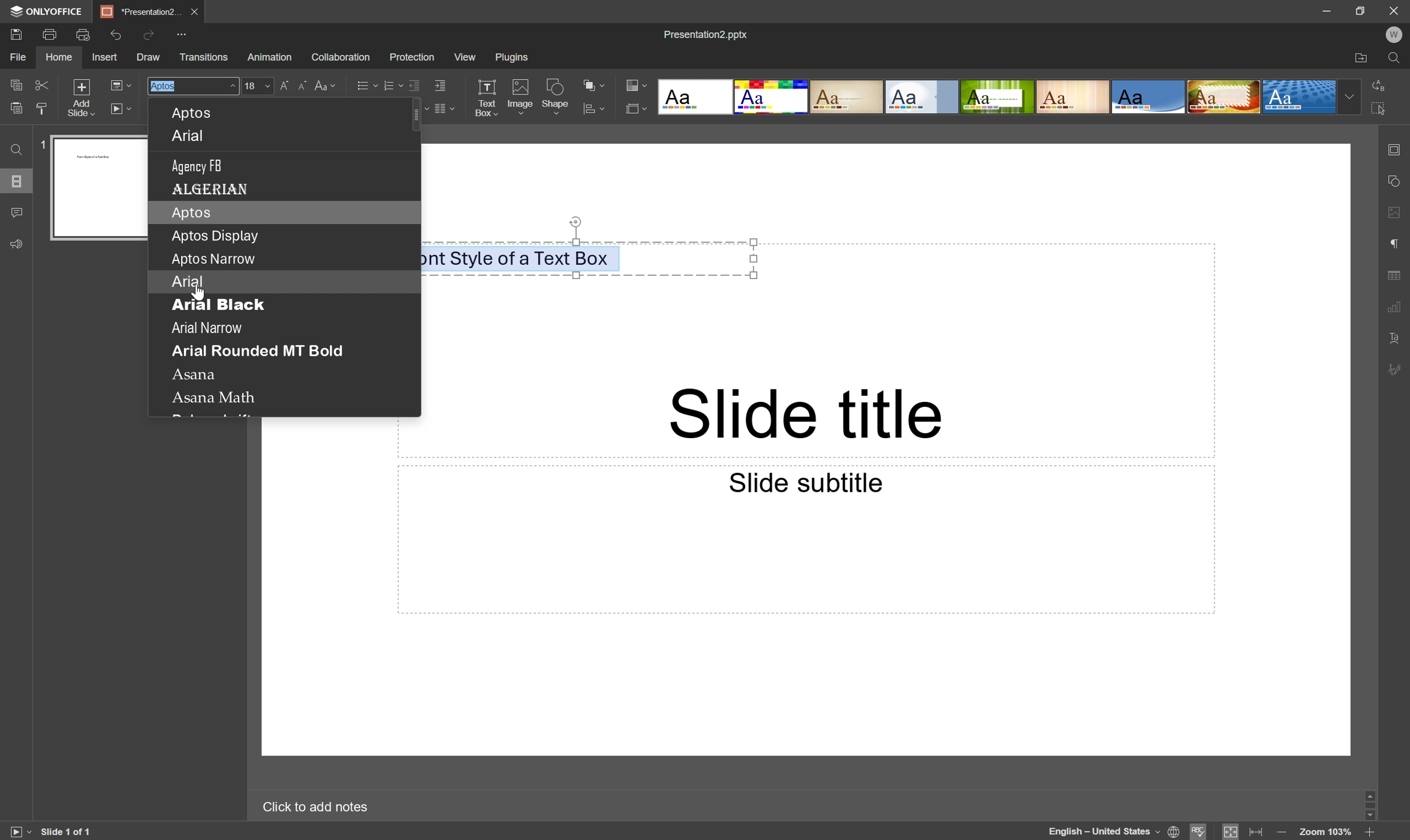  I want to click on Presentation2.pptx, so click(707, 34).